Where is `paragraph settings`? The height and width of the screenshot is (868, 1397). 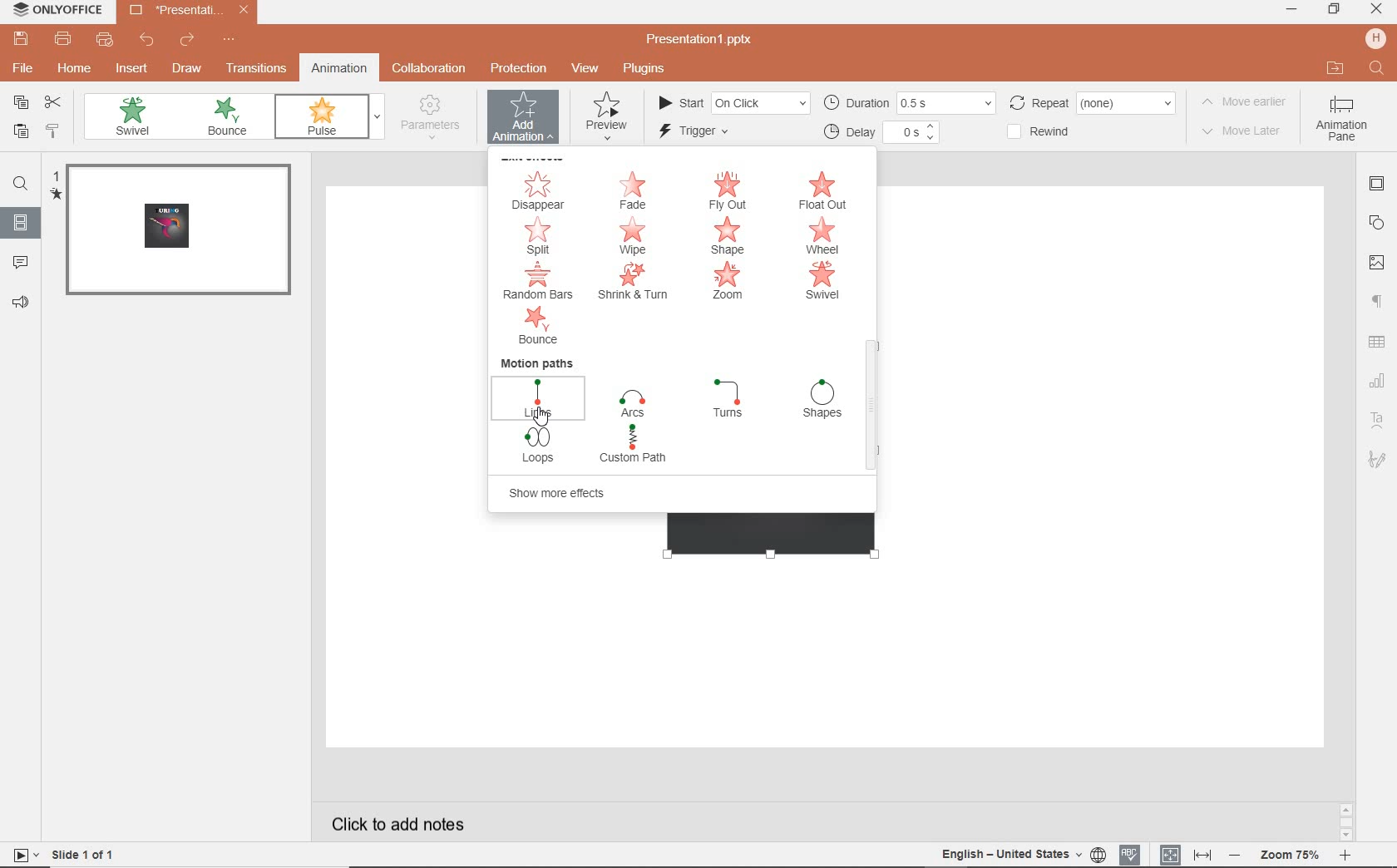
paragraph settings is located at coordinates (1380, 301).